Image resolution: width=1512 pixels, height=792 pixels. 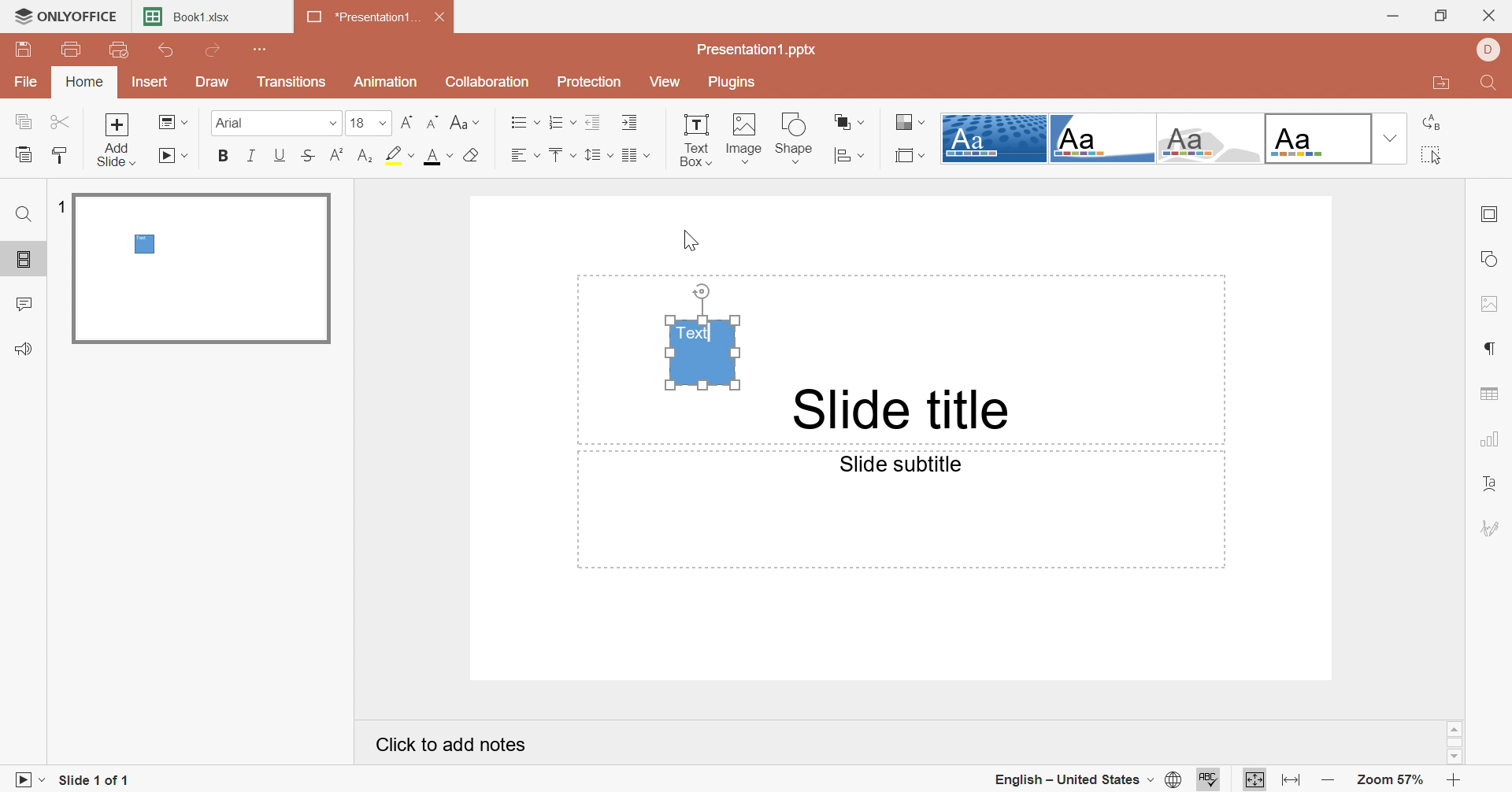 What do you see at coordinates (228, 156) in the screenshot?
I see `Bold` at bounding box center [228, 156].